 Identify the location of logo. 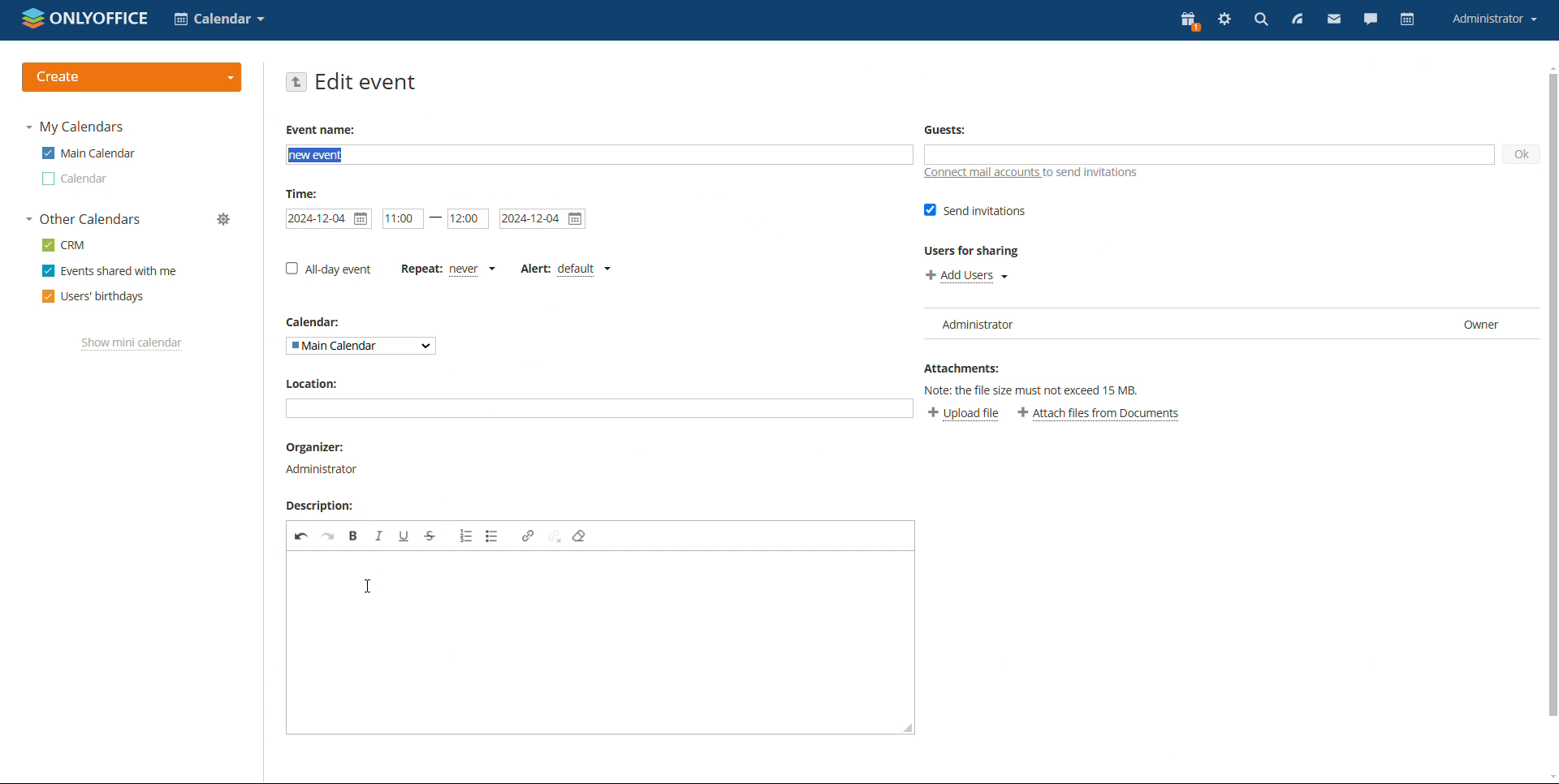
(85, 19).